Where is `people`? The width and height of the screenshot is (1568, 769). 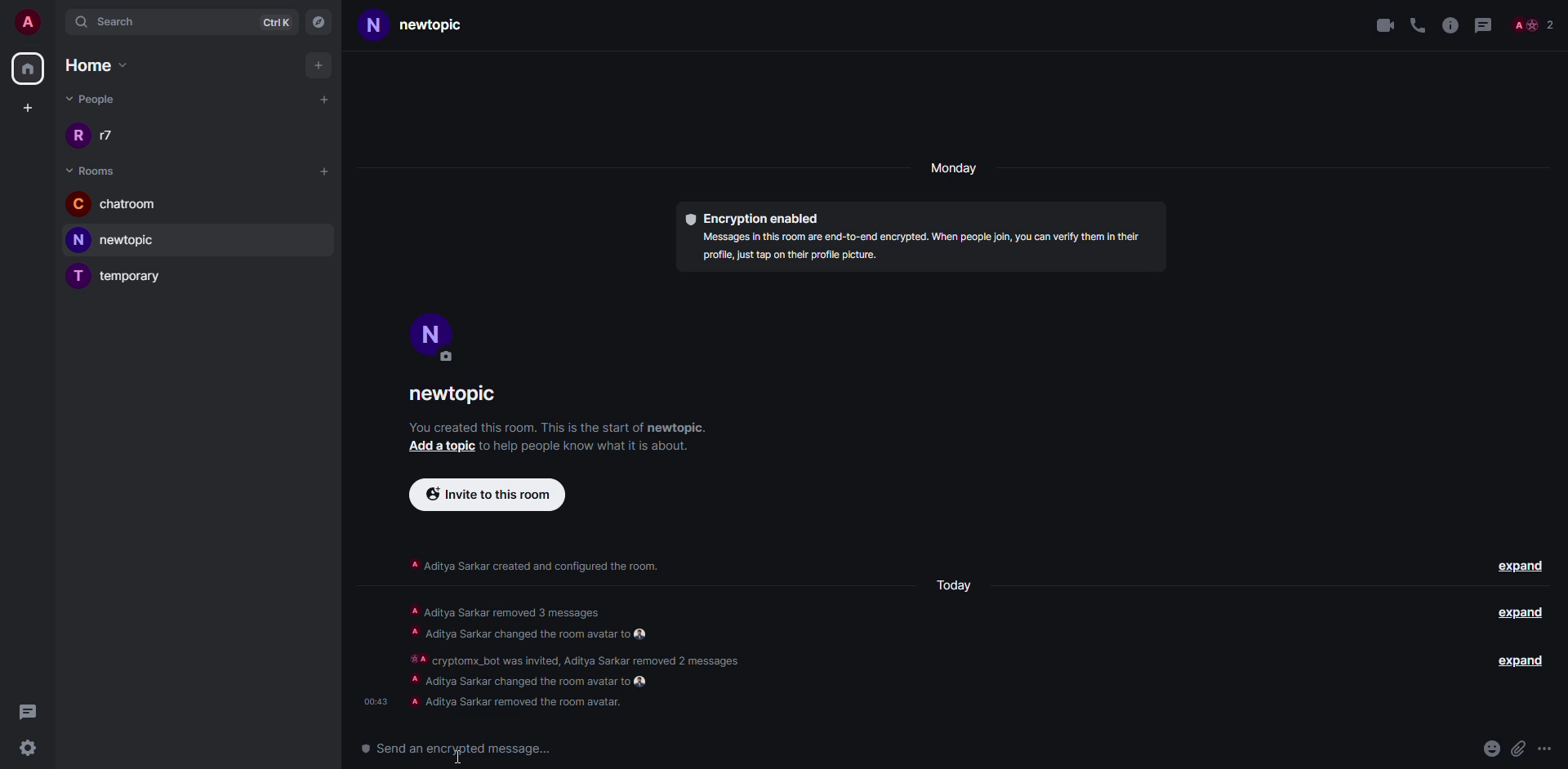
people is located at coordinates (1532, 26).